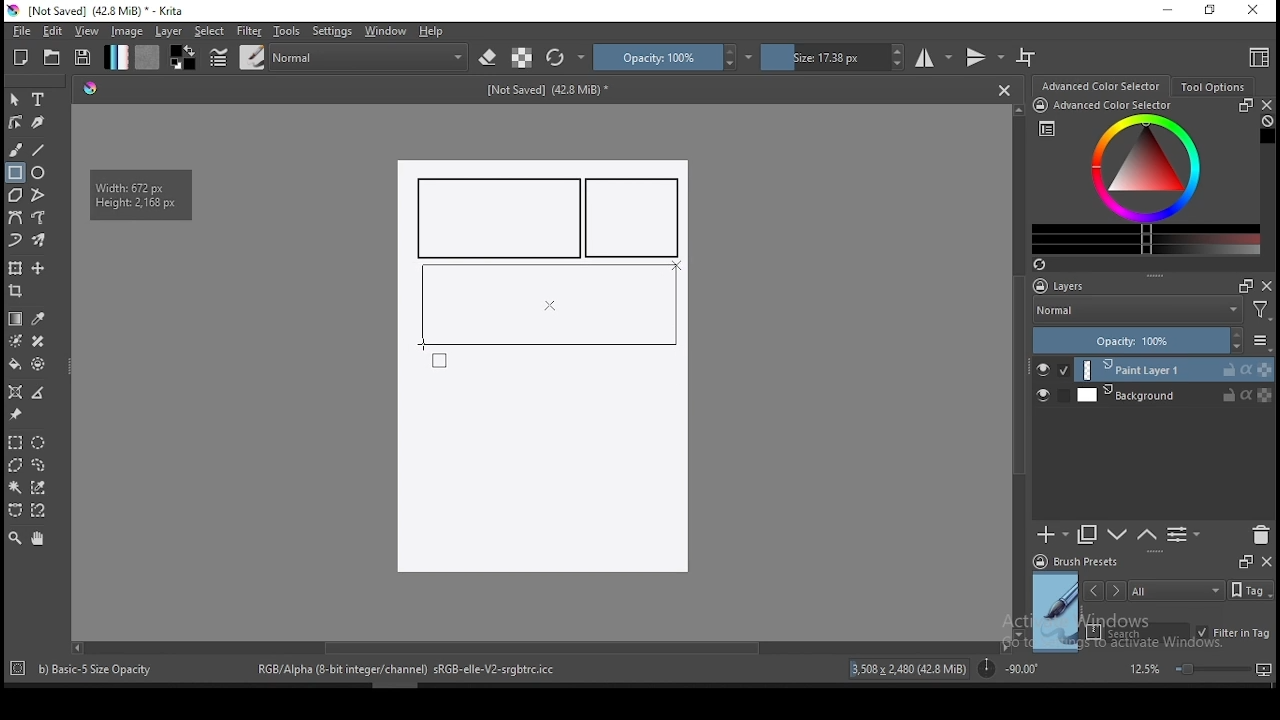 The image size is (1280, 720). What do you see at coordinates (675, 266) in the screenshot?
I see `mouse pointer` at bounding box center [675, 266].